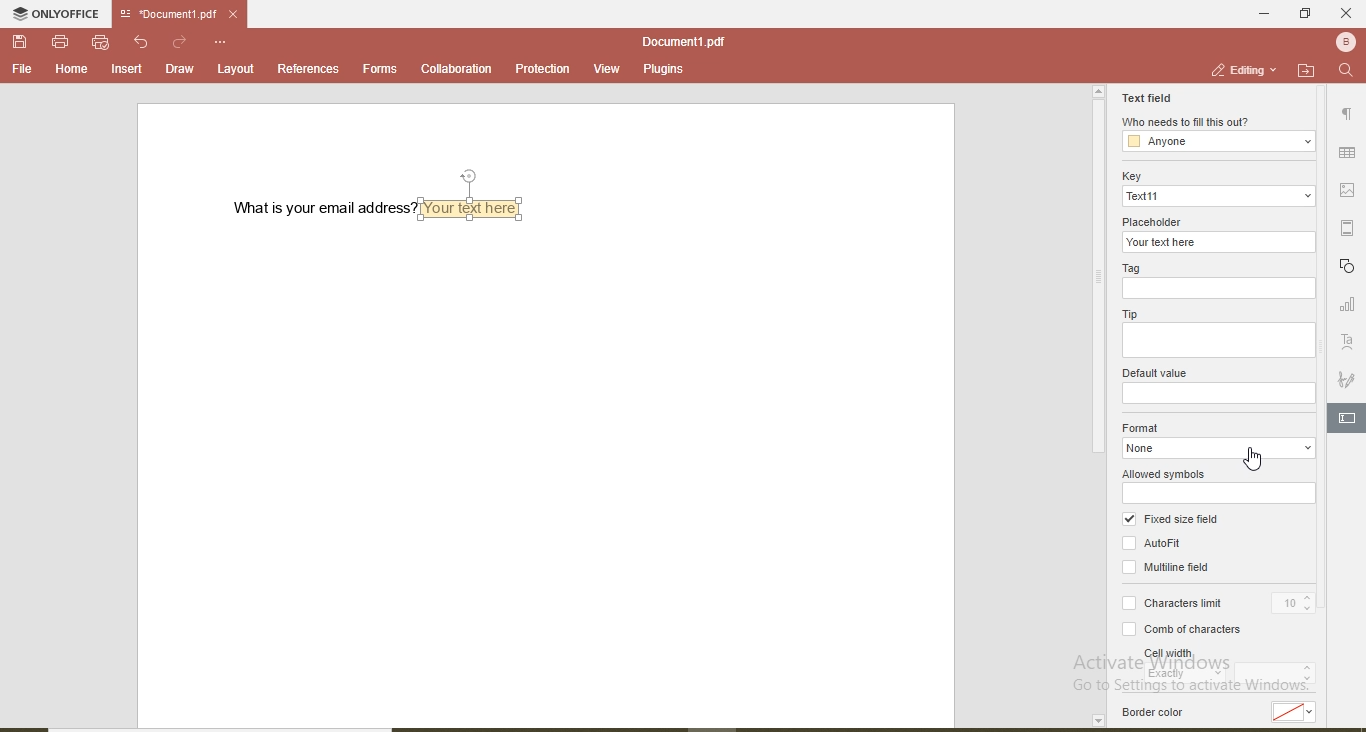  Describe the element at coordinates (22, 43) in the screenshot. I see `save` at that location.